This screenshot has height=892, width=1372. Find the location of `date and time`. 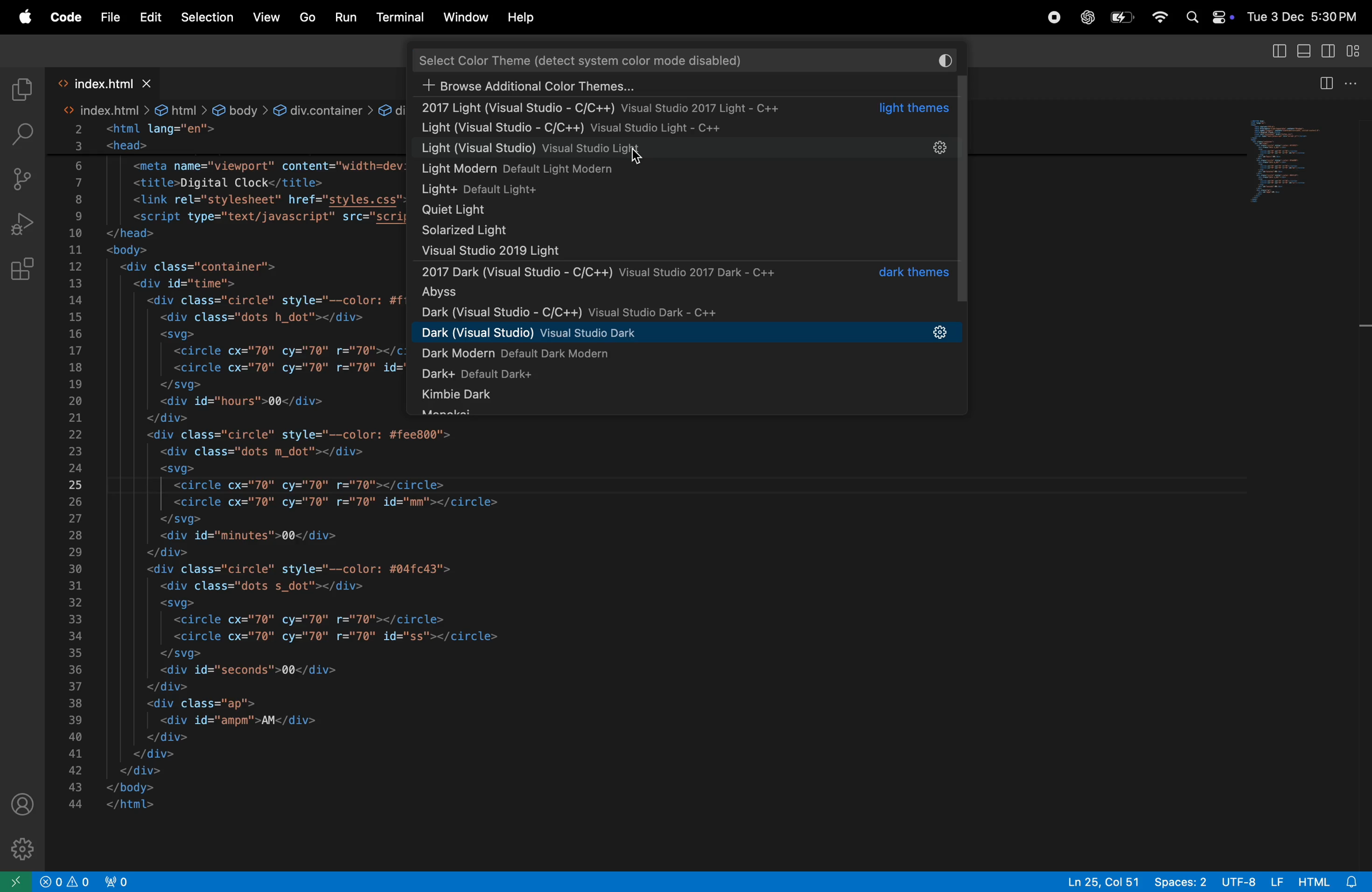

date and time is located at coordinates (1301, 17).